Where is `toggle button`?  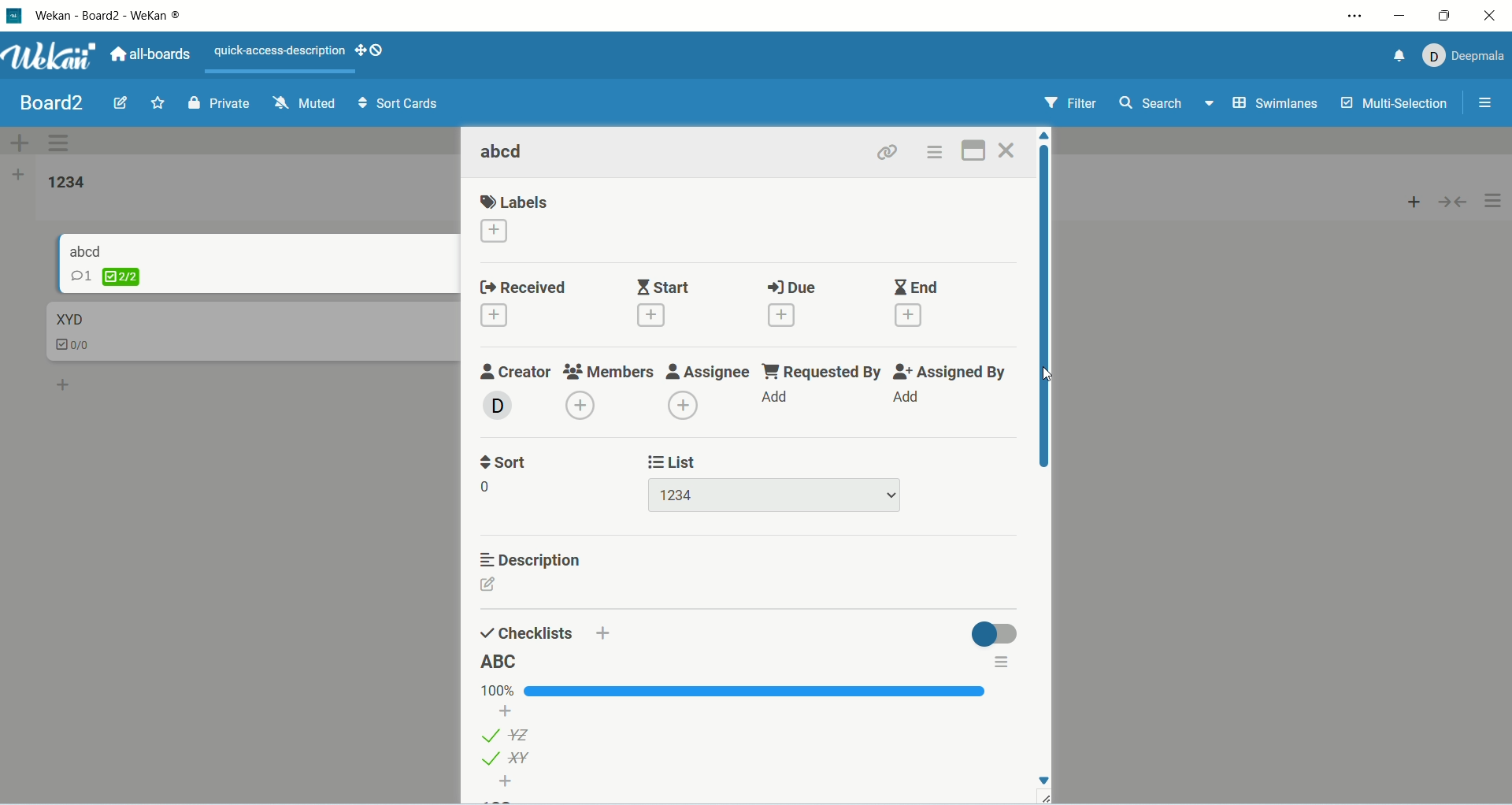
toggle button is located at coordinates (993, 631).